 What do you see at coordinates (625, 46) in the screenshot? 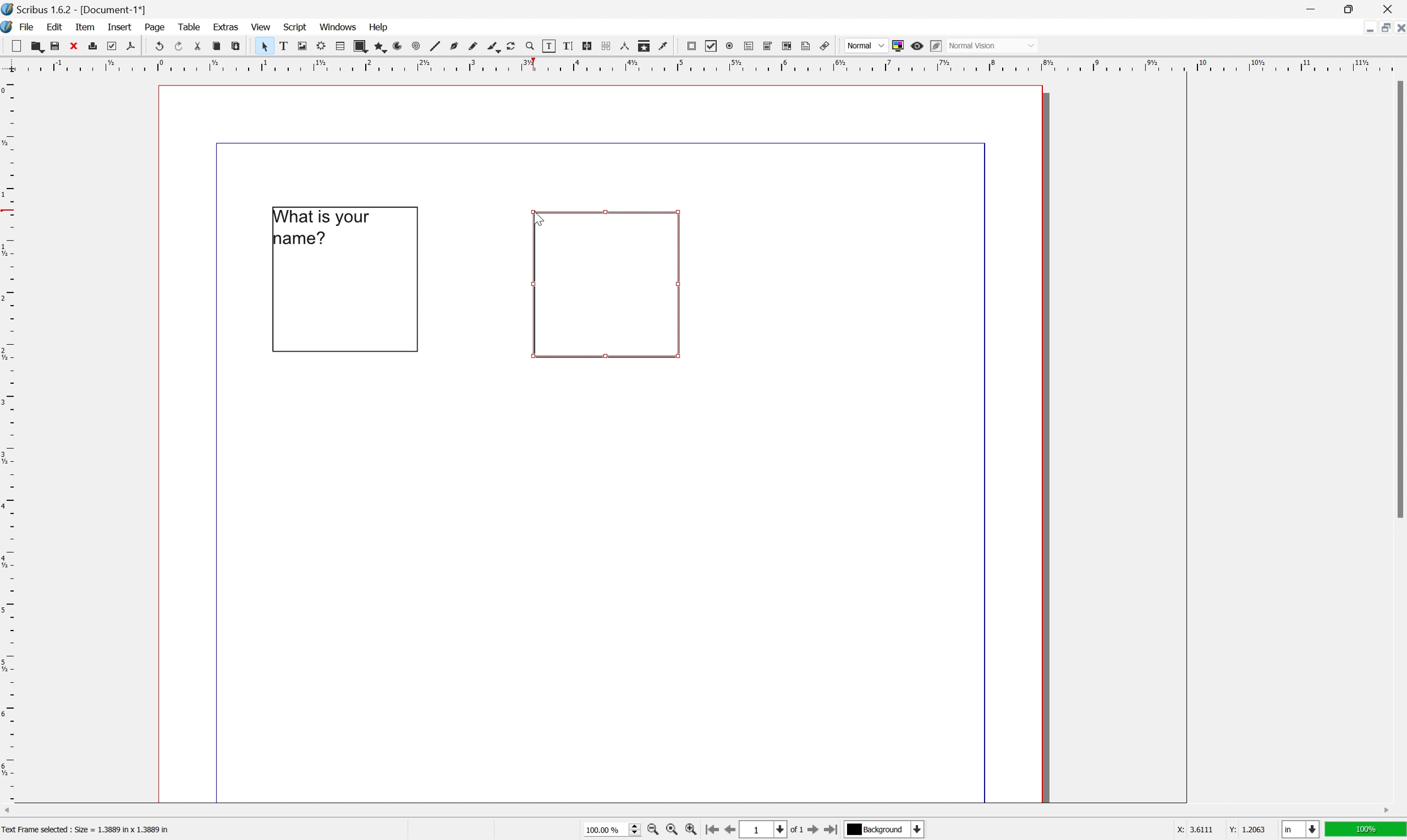
I see `measurements` at bounding box center [625, 46].